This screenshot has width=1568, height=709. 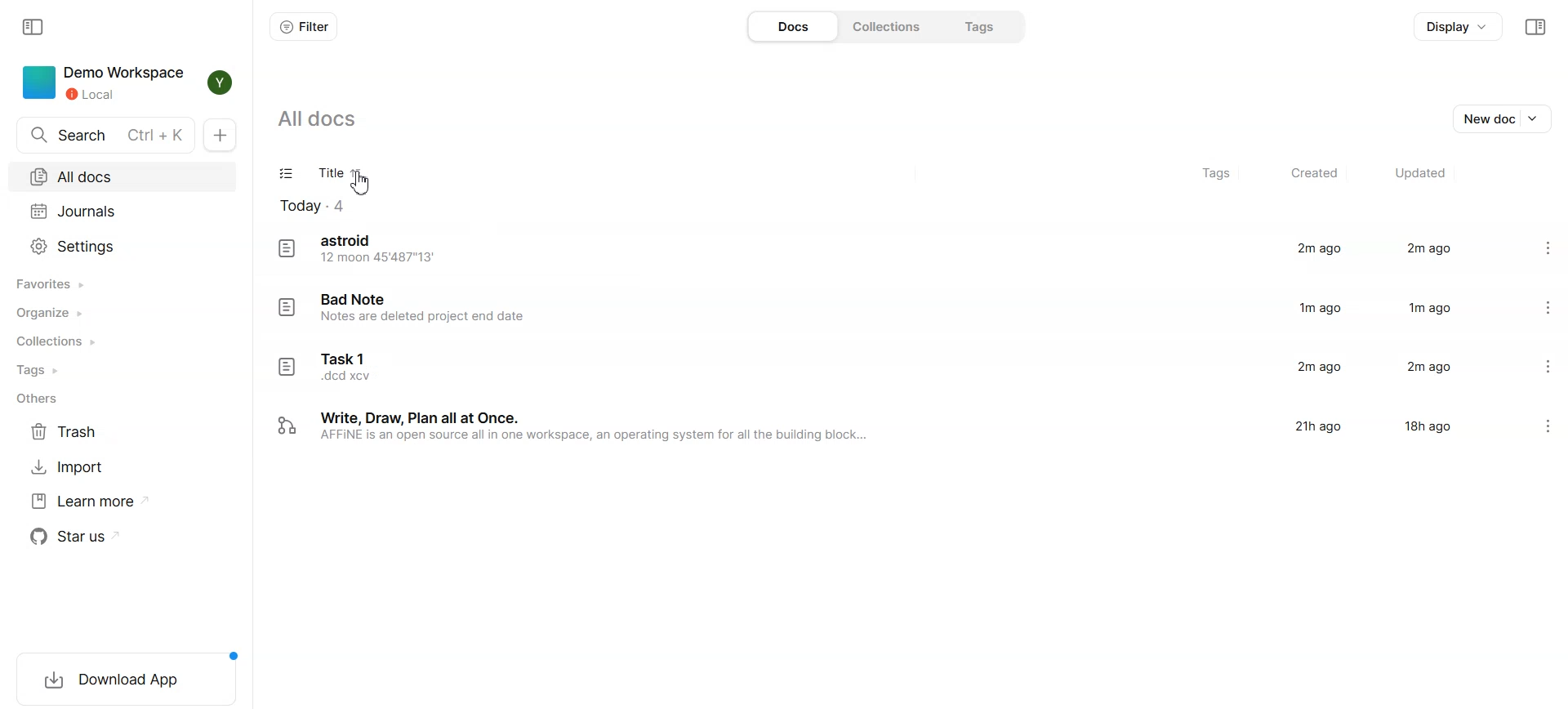 What do you see at coordinates (365, 175) in the screenshot?
I see `Sort doc file` at bounding box center [365, 175].